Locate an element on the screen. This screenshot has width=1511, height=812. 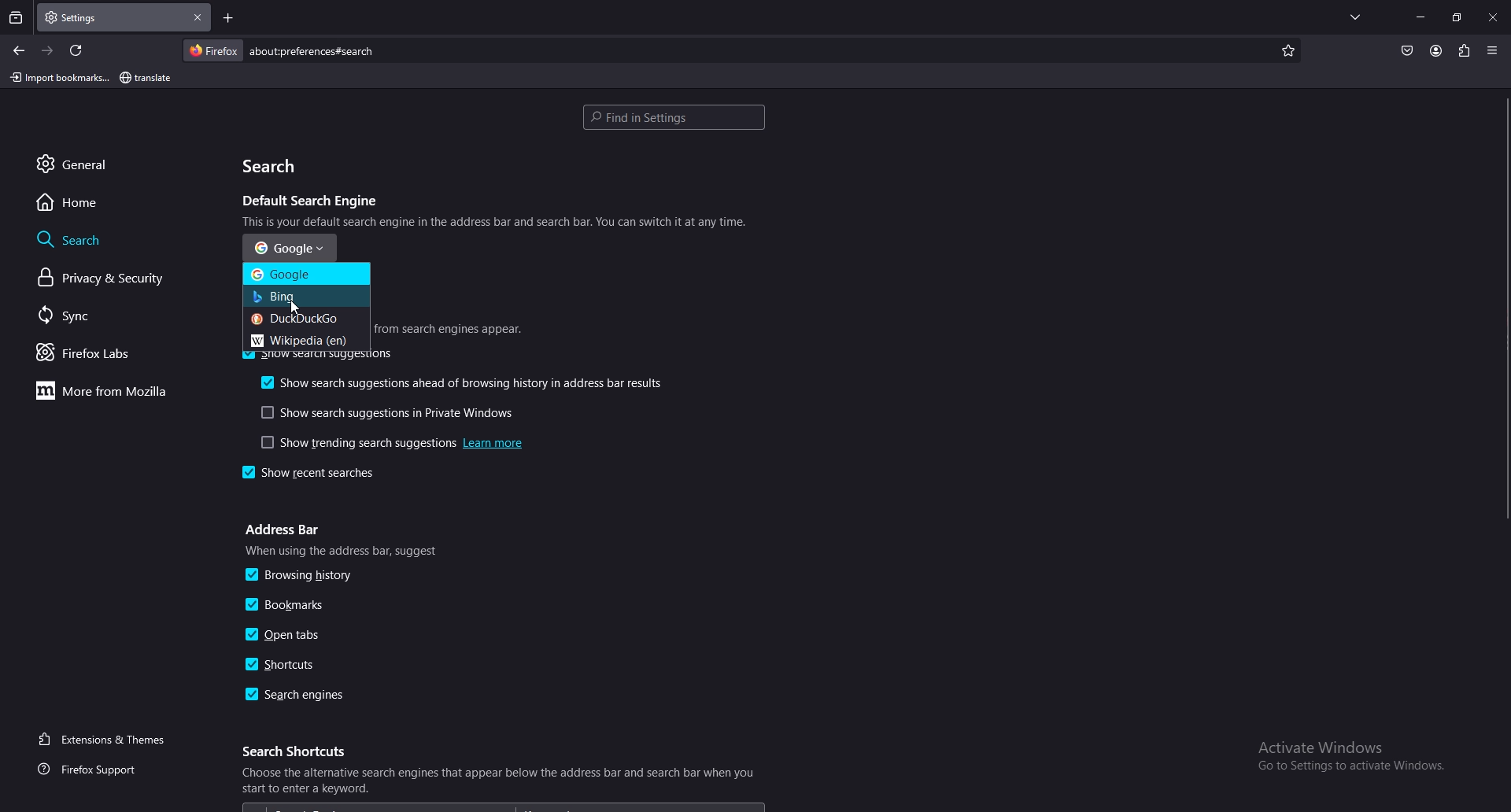
more from mozilla is located at coordinates (113, 391).